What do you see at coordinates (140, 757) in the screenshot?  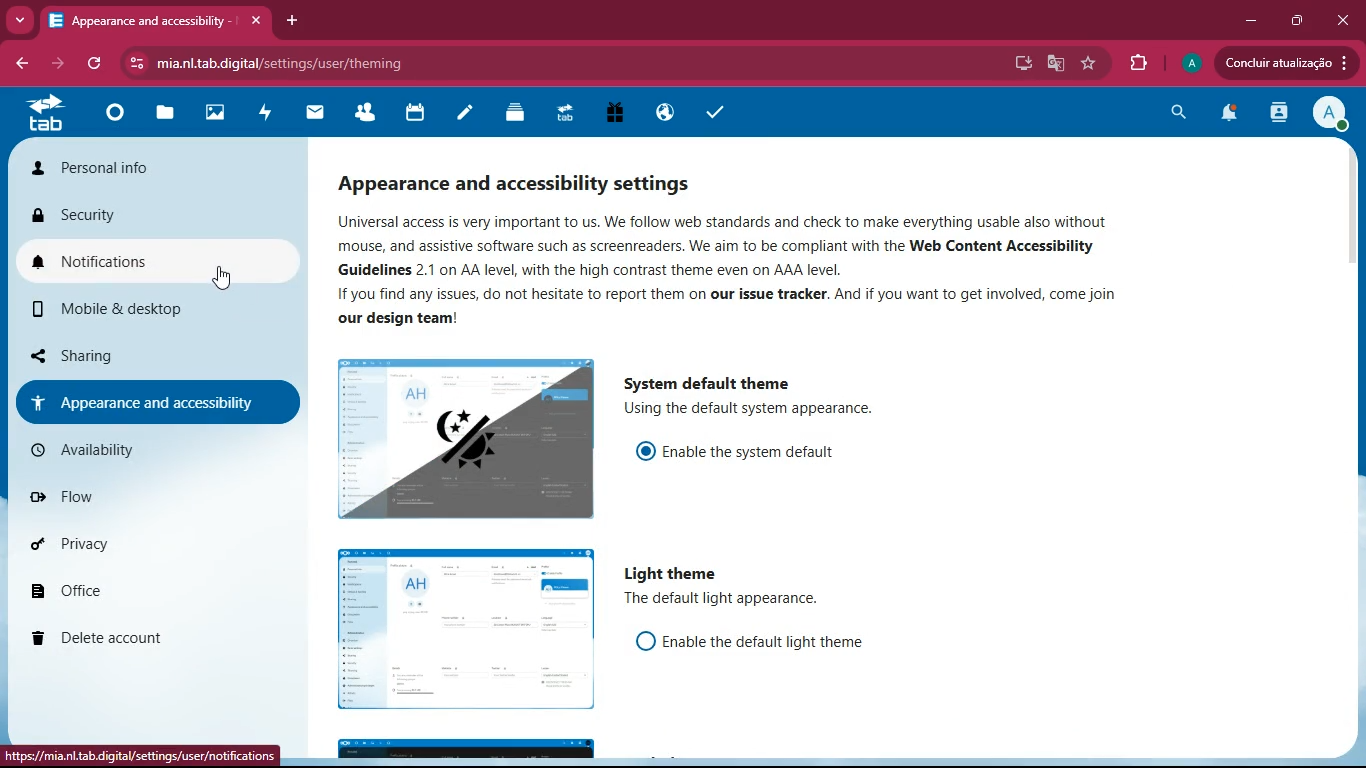 I see `https://mia.nl.tab.digital/settings/user/notifications` at bounding box center [140, 757].